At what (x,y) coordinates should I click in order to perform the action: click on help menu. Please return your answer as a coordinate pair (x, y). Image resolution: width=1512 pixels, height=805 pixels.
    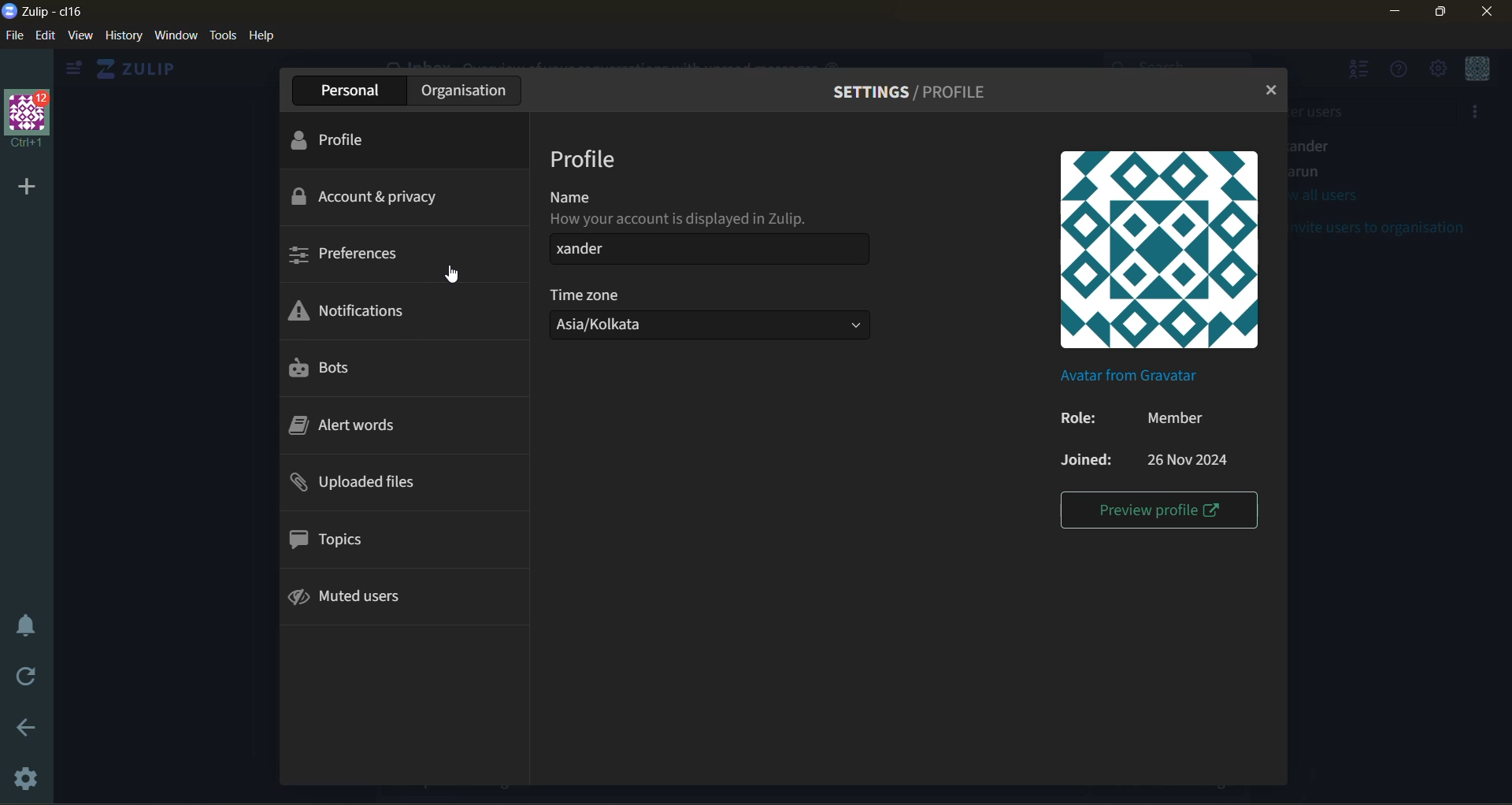
    Looking at the image, I should click on (1403, 76).